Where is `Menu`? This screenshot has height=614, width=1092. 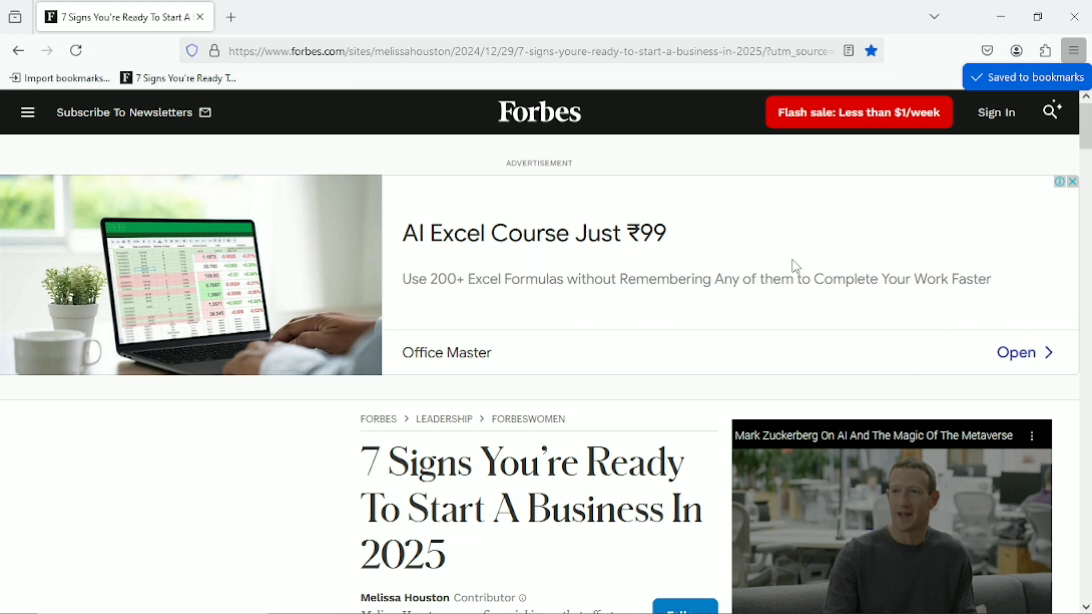 Menu is located at coordinates (25, 111).